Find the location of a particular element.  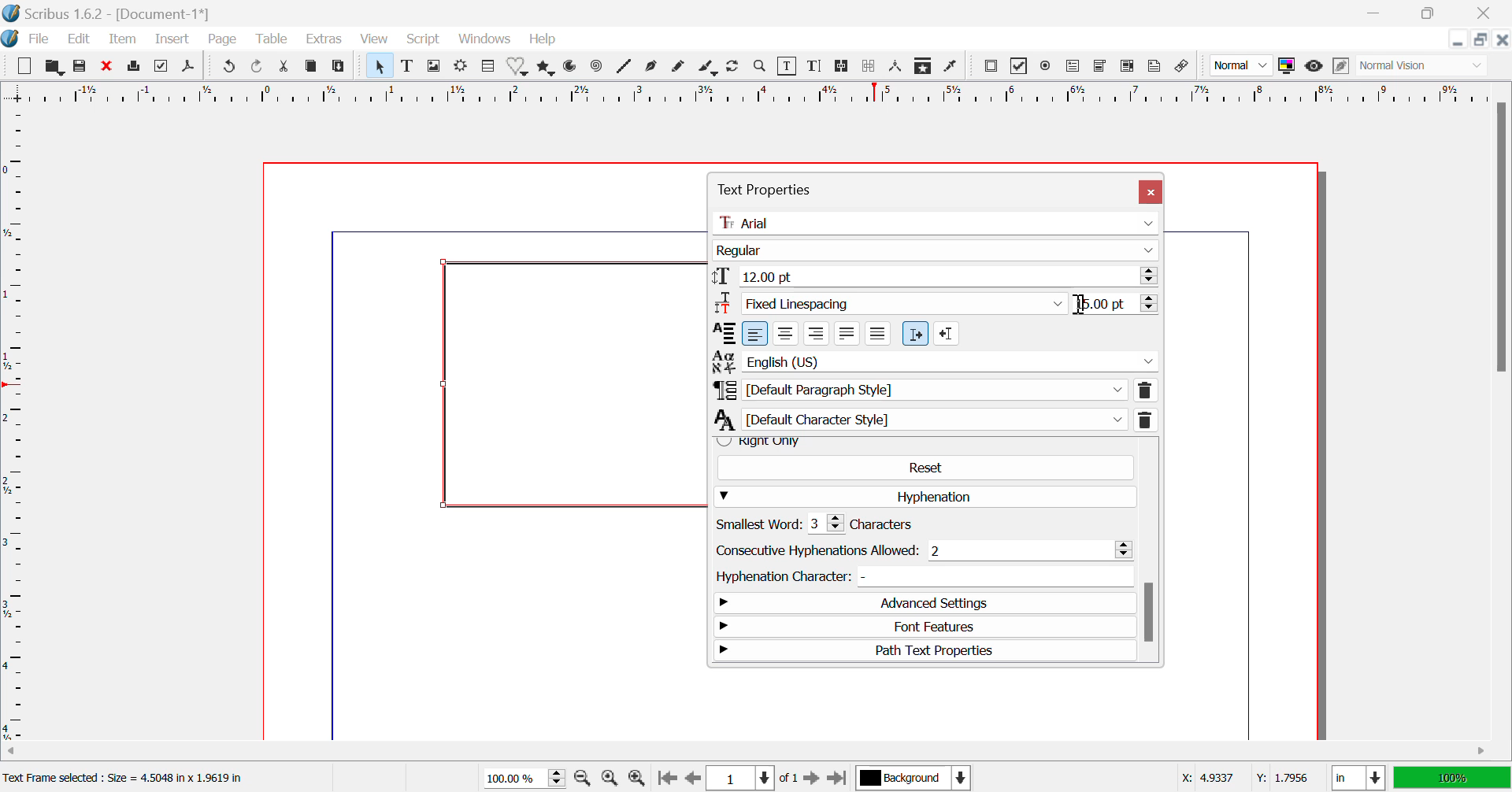

Edit in Preview Mode is located at coordinates (1341, 68).